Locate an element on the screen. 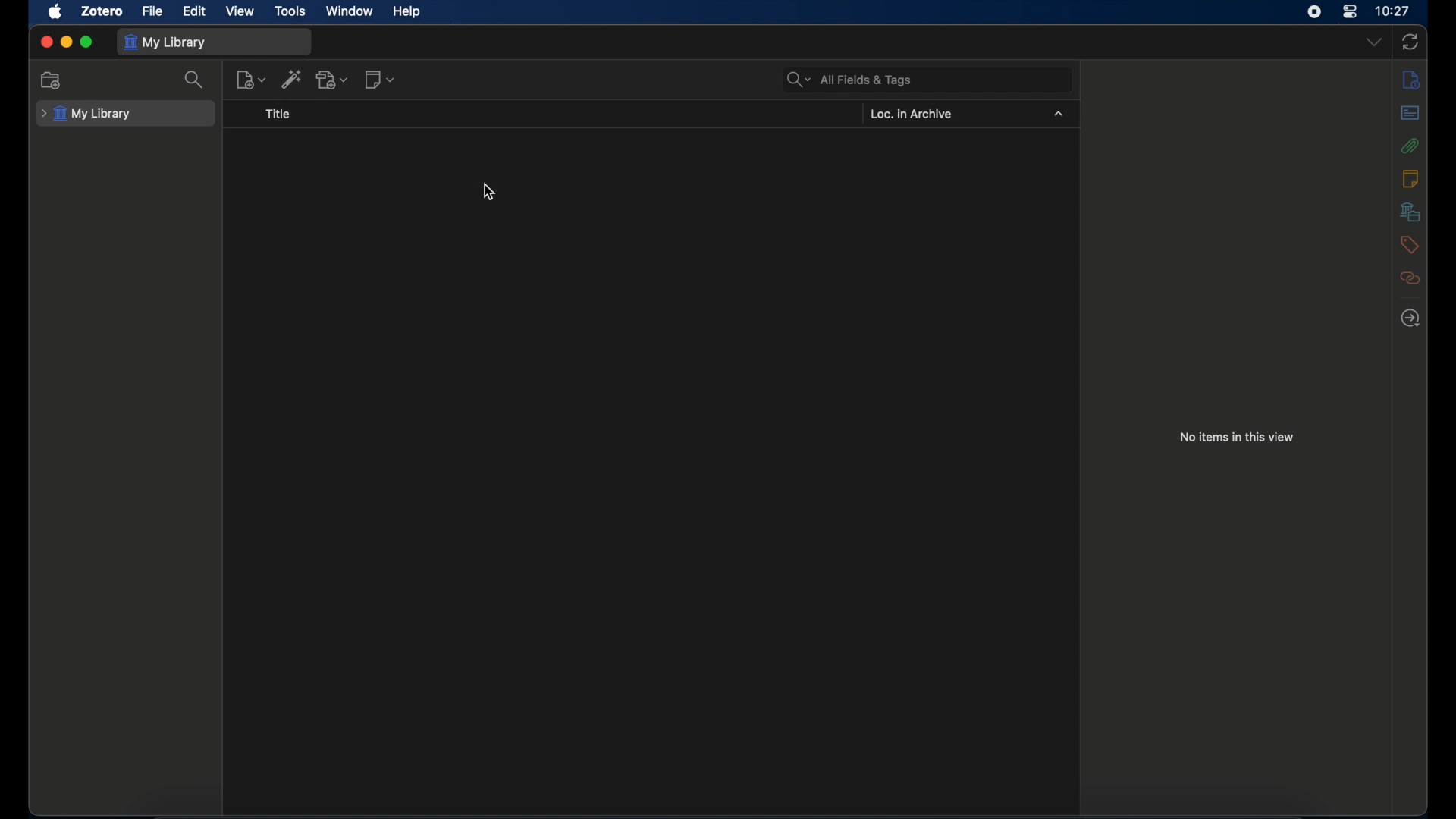 The image size is (1456, 819). search is located at coordinates (195, 80).